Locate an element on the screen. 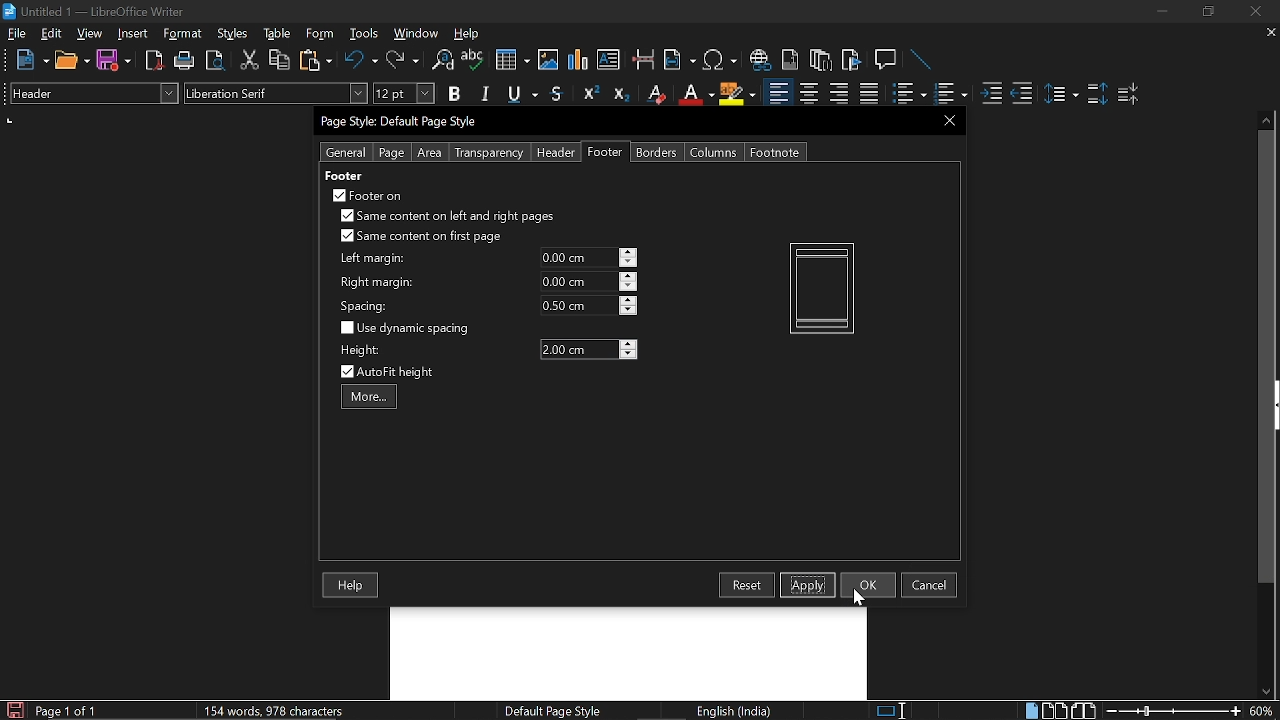 This screenshot has width=1280, height=720. more is located at coordinates (369, 398).